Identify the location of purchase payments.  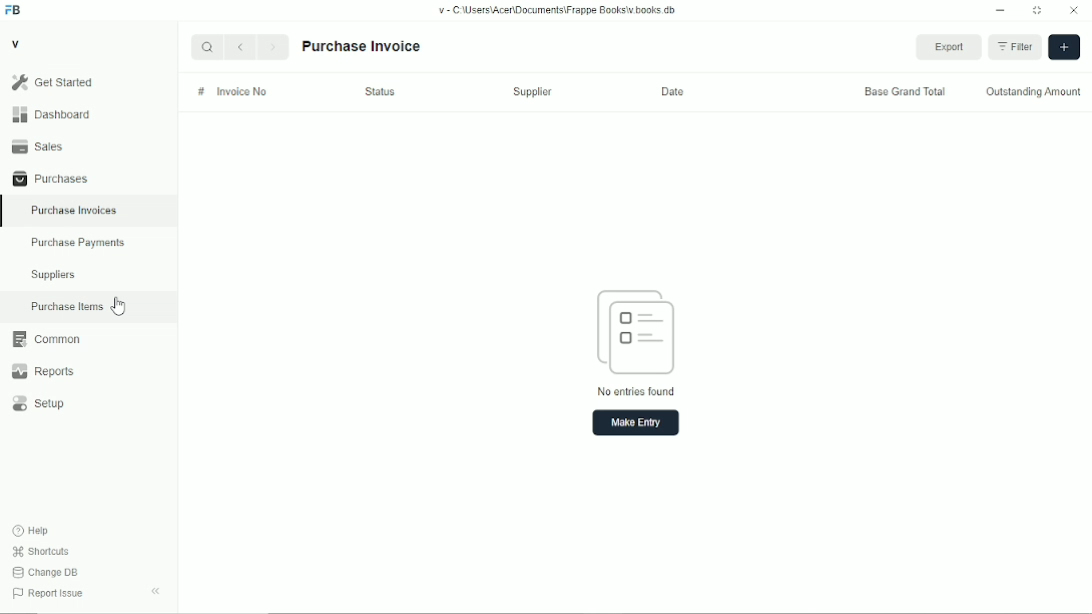
(77, 243).